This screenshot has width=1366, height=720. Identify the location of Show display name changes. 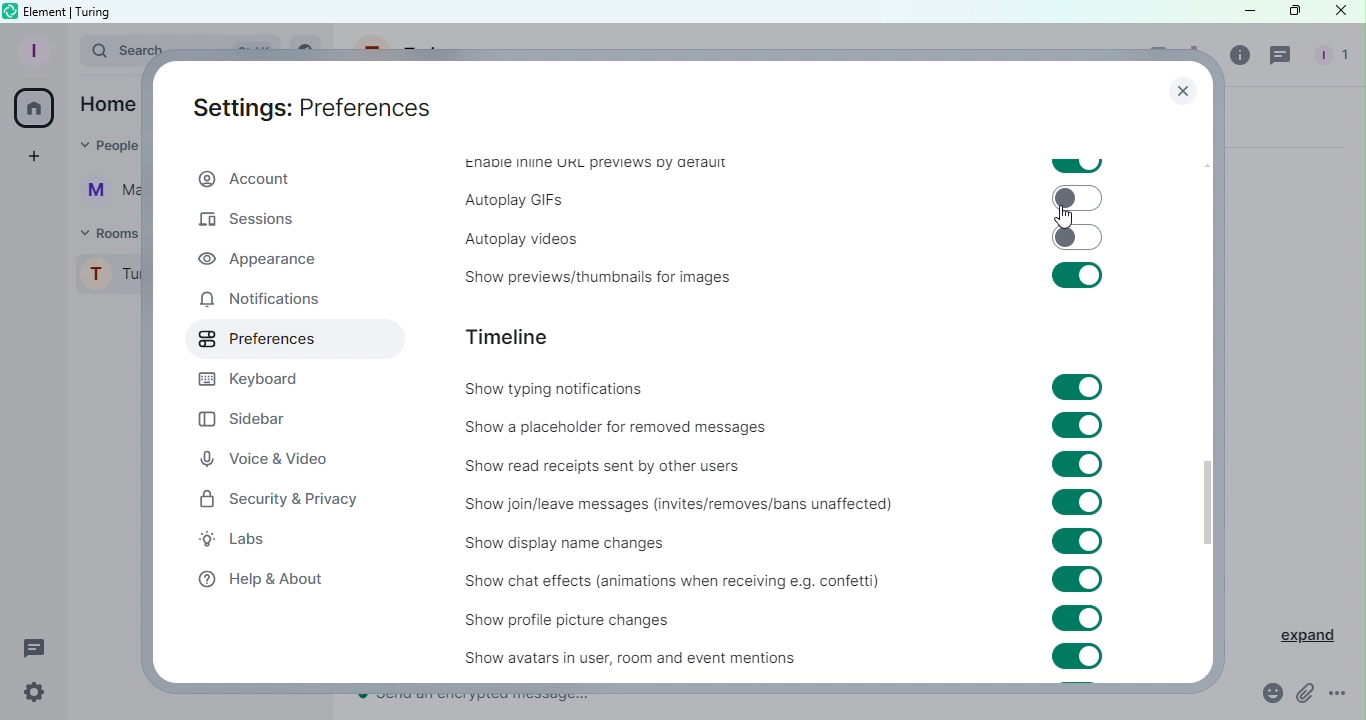
(575, 544).